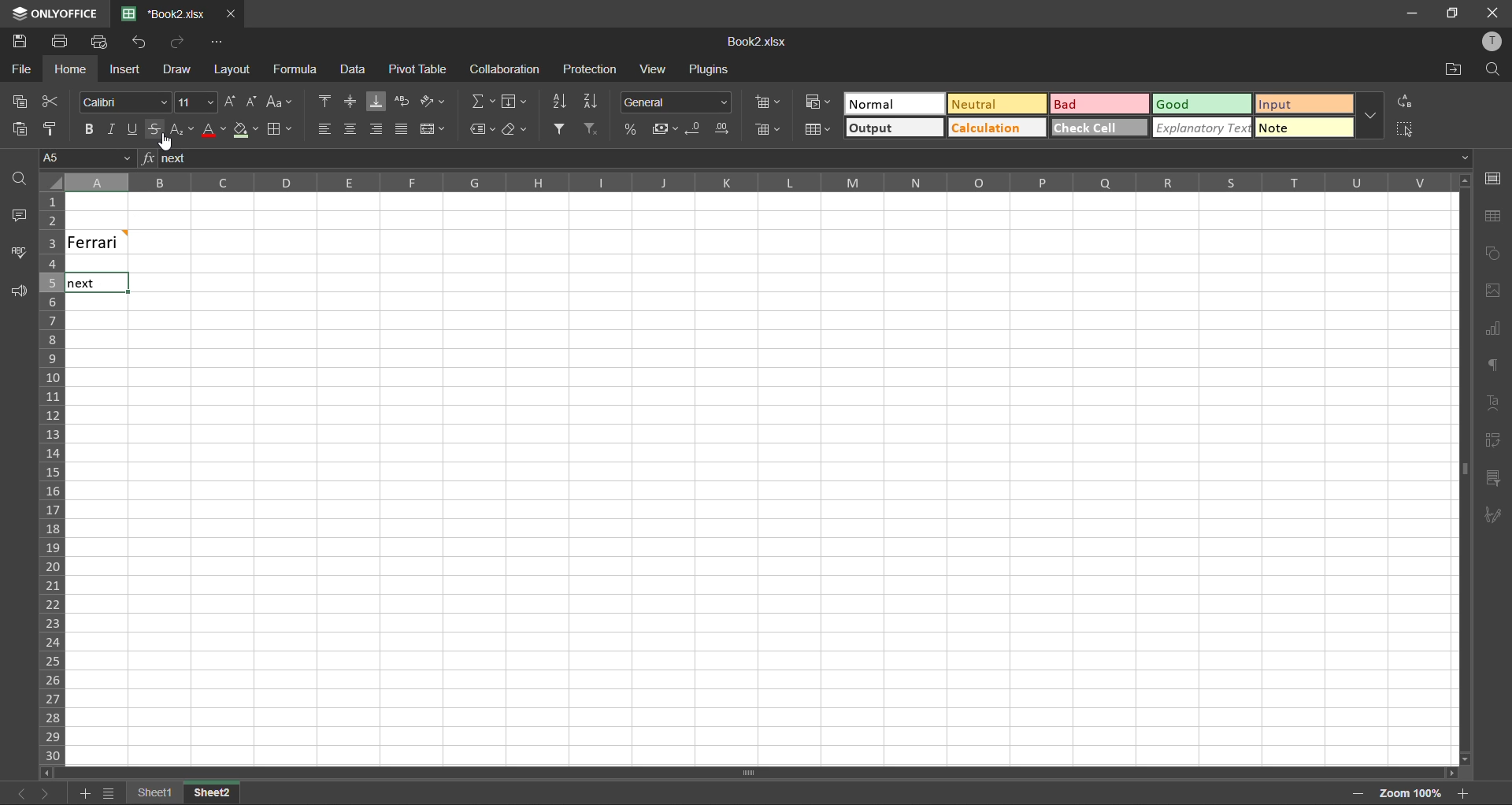  What do you see at coordinates (748, 773) in the screenshot?
I see `Scrollbar` at bounding box center [748, 773].